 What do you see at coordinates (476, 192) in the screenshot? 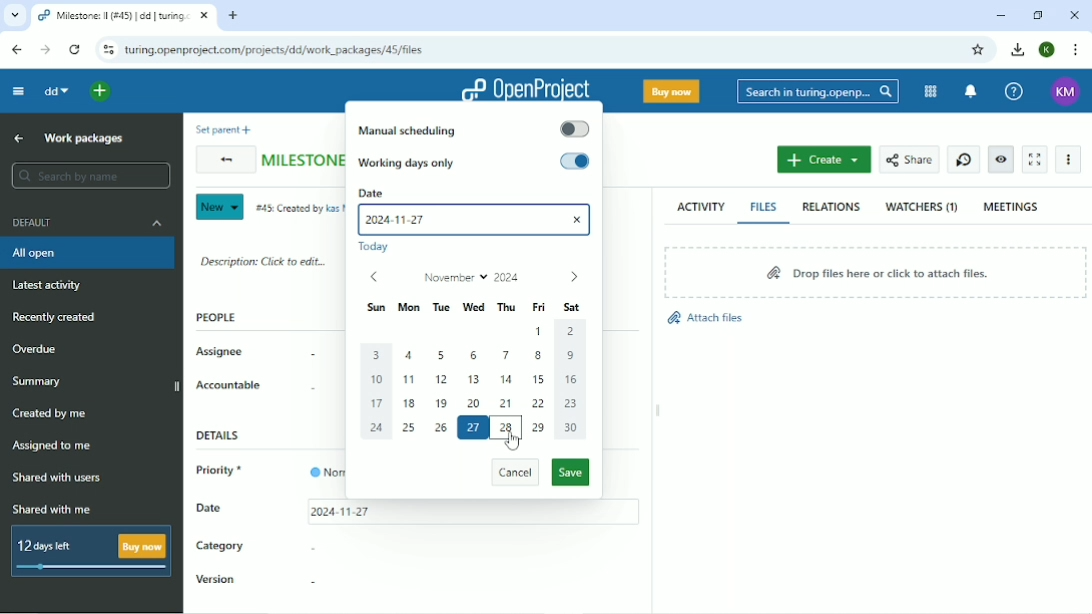
I see `Date` at bounding box center [476, 192].